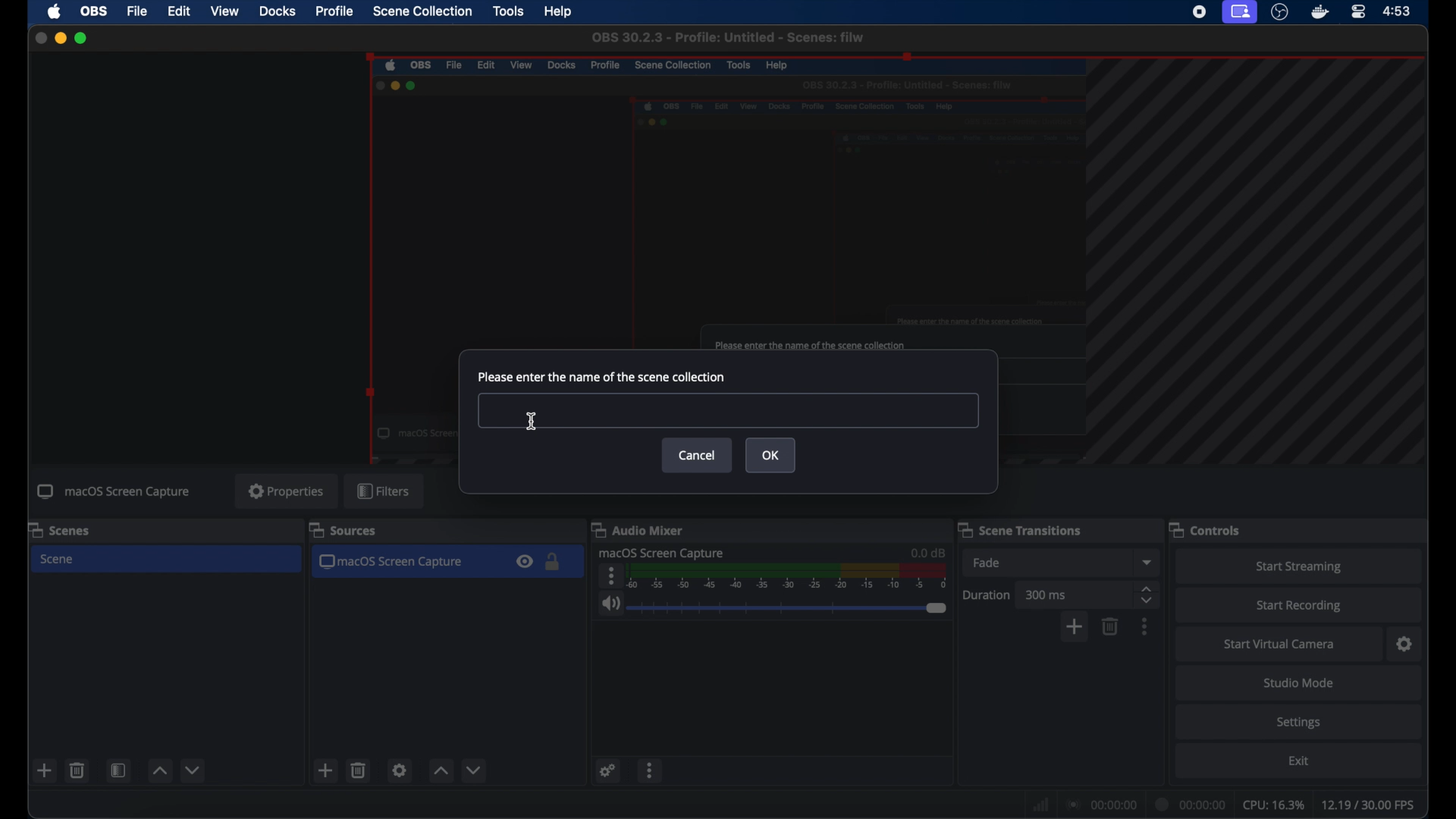 The width and height of the screenshot is (1456, 819). I want to click on settings, so click(400, 770).